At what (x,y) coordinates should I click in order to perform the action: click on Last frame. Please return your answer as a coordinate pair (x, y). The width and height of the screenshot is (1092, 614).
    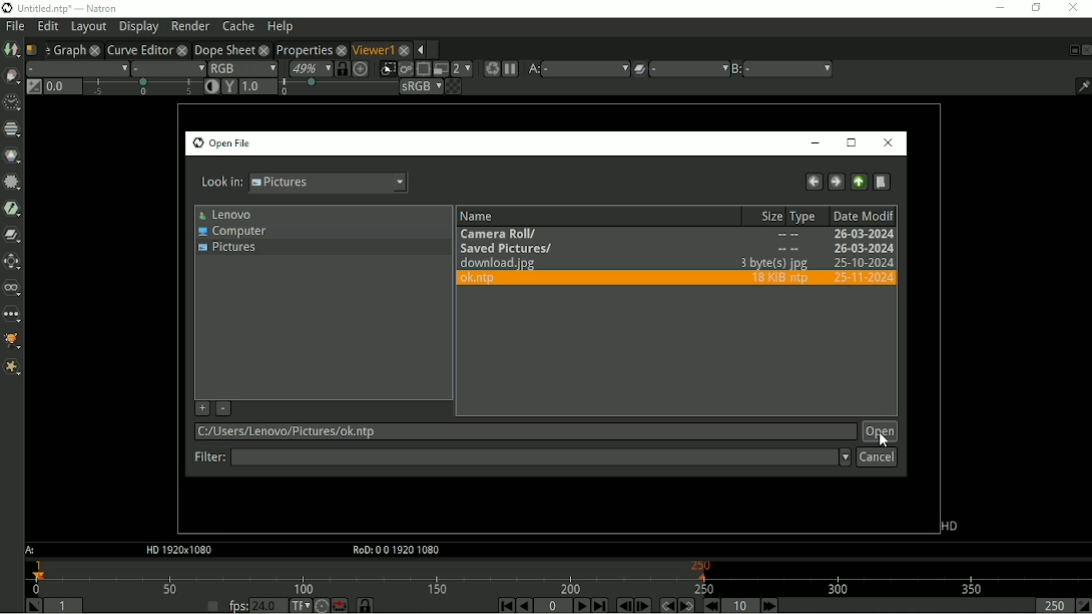
    Looking at the image, I should click on (599, 605).